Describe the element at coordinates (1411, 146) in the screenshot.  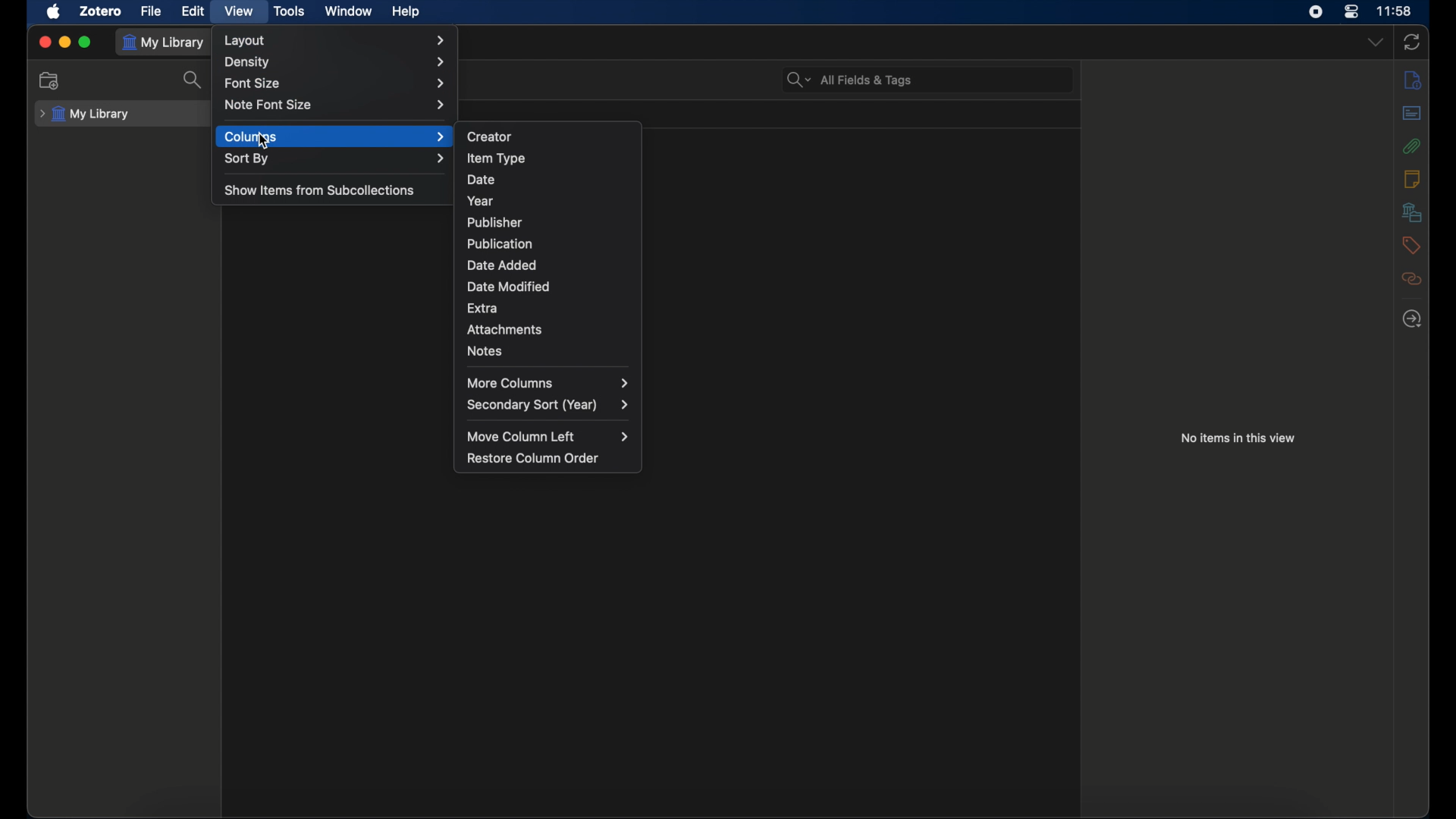
I see `attachments` at that location.